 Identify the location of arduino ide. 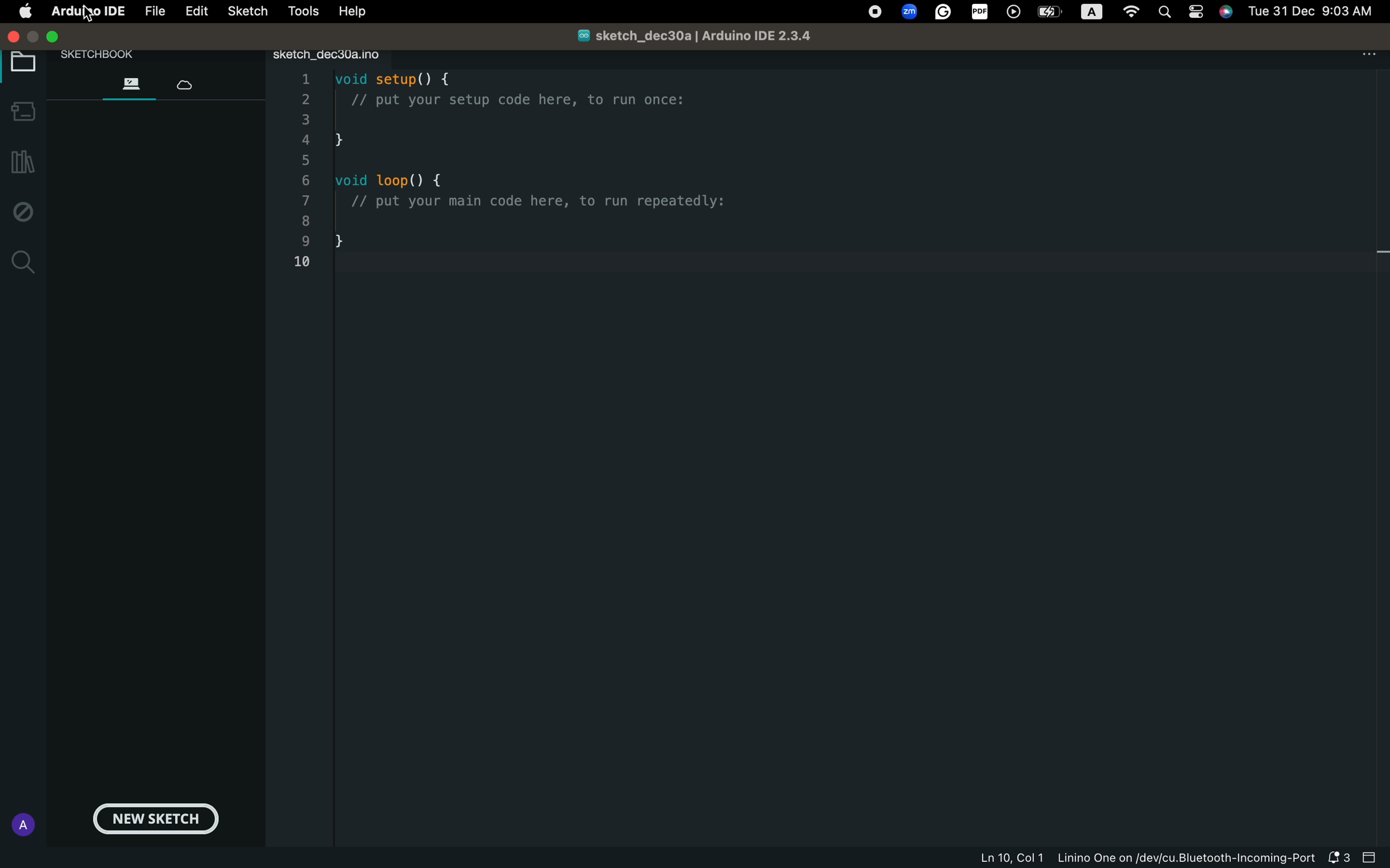
(82, 13).